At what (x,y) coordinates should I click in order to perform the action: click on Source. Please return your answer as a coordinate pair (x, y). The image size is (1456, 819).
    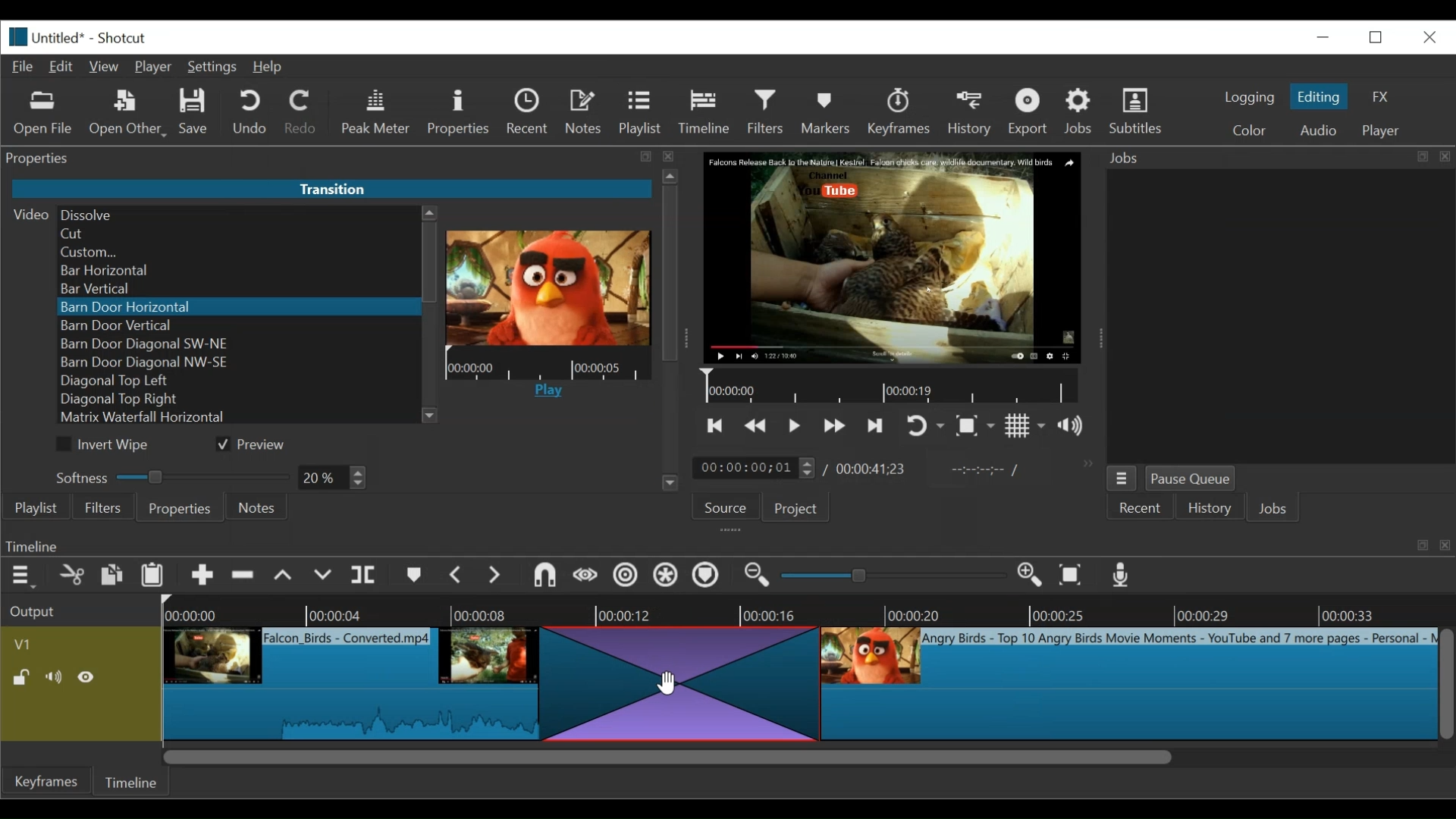
    Looking at the image, I should click on (729, 506).